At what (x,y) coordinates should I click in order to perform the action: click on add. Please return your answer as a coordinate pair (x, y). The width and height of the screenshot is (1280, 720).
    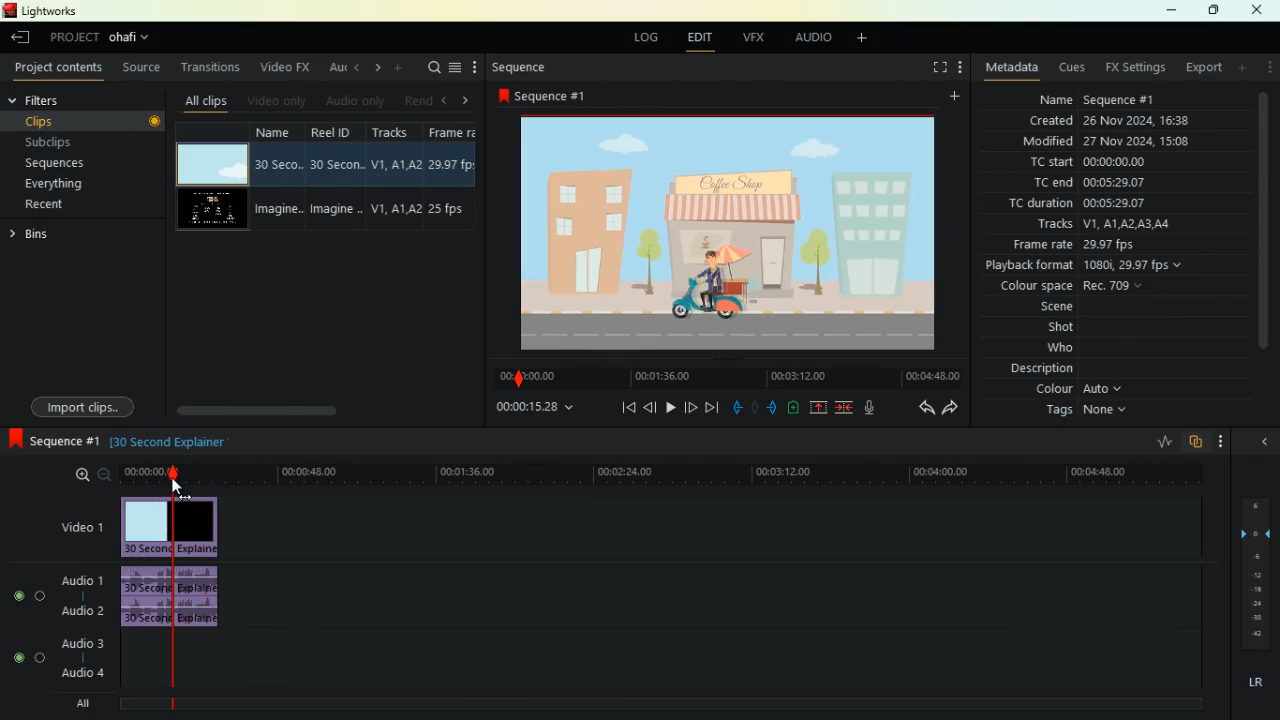
    Looking at the image, I should click on (1239, 67).